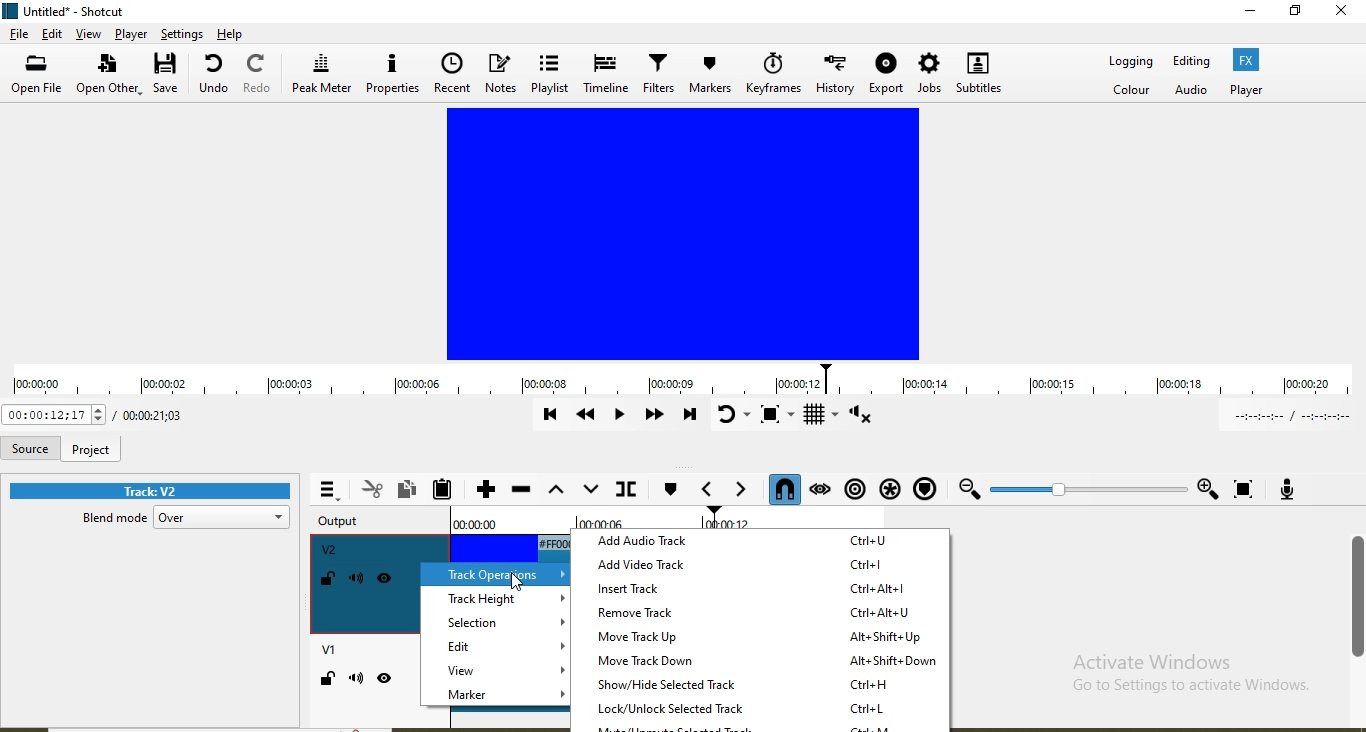 The image size is (1366, 732). I want to click on lock/unlovk selected track, so click(761, 709).